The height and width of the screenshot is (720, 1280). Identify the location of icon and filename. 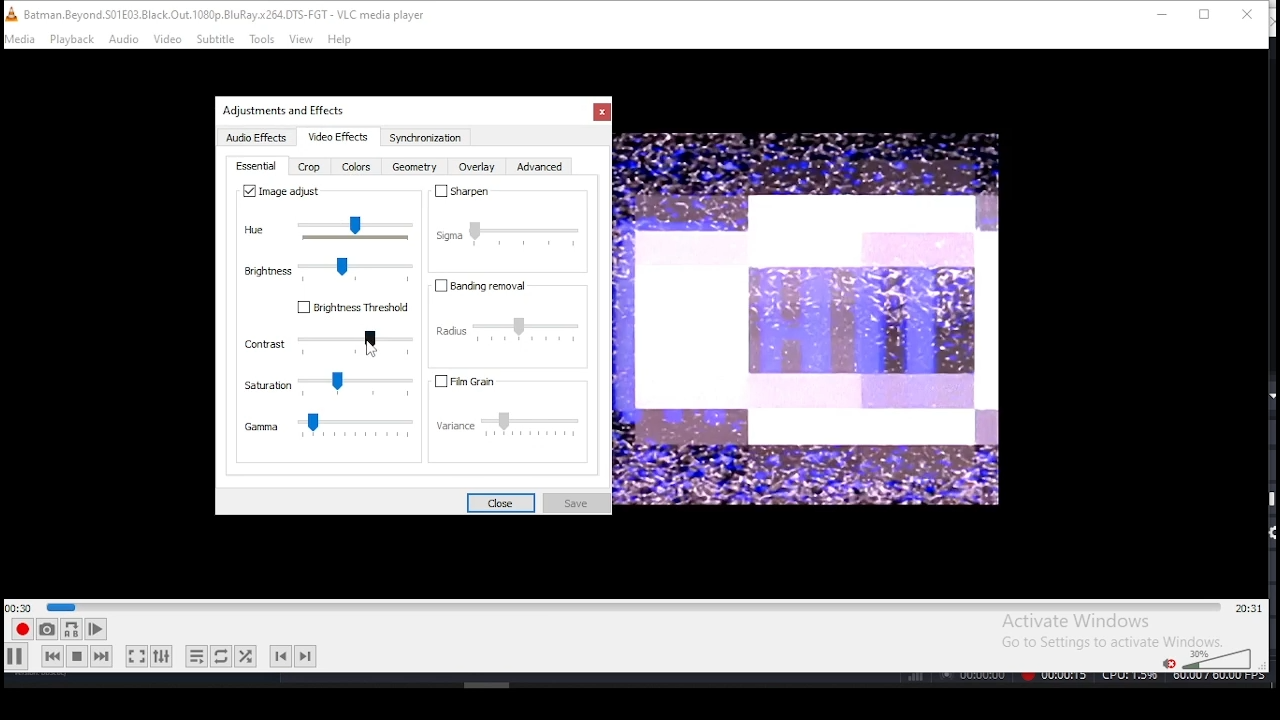
(222, 13).